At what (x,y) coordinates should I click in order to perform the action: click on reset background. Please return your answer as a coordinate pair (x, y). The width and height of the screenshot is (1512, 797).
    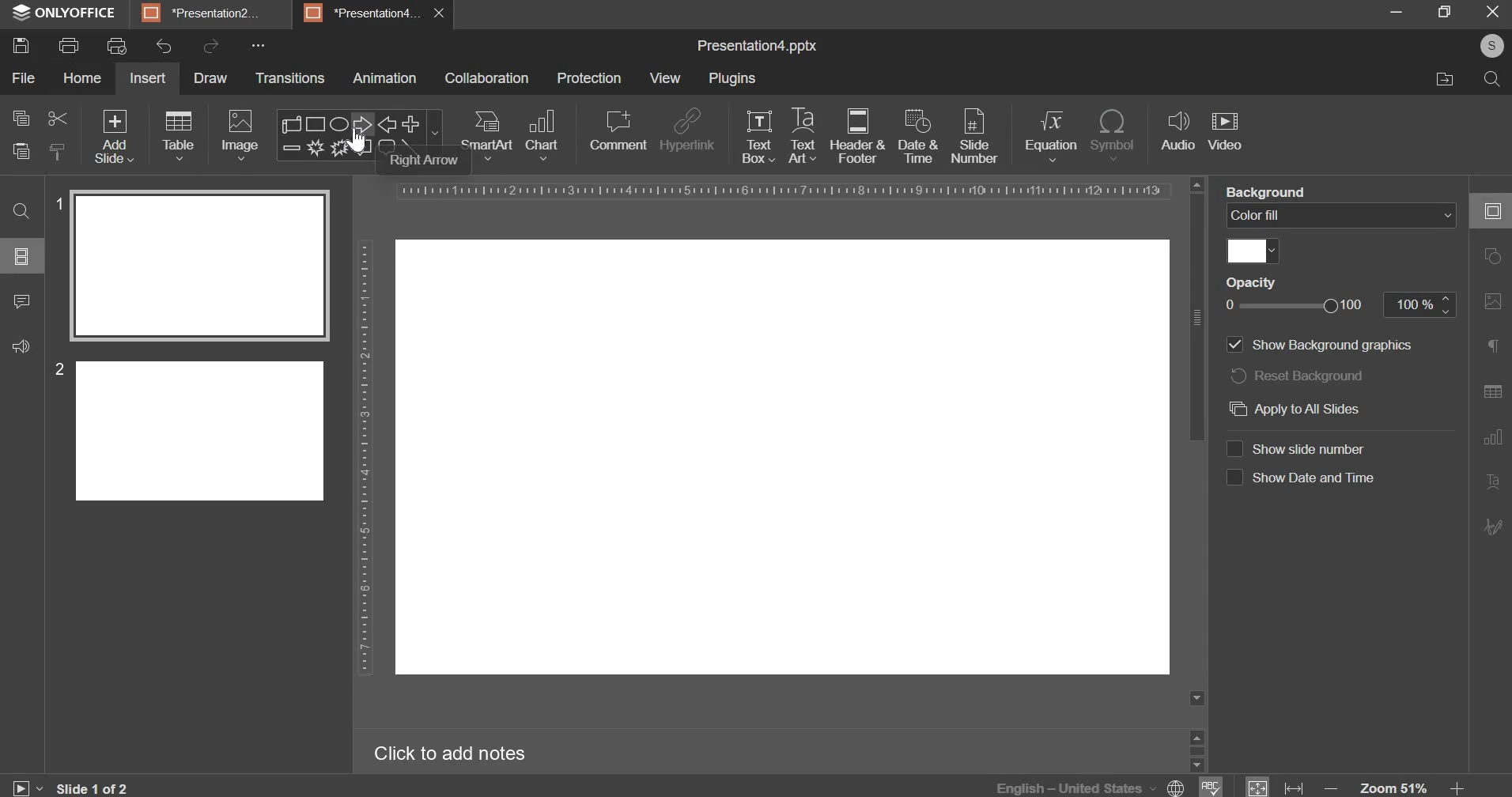
    Looking at the image, I should click on (1297, 376).